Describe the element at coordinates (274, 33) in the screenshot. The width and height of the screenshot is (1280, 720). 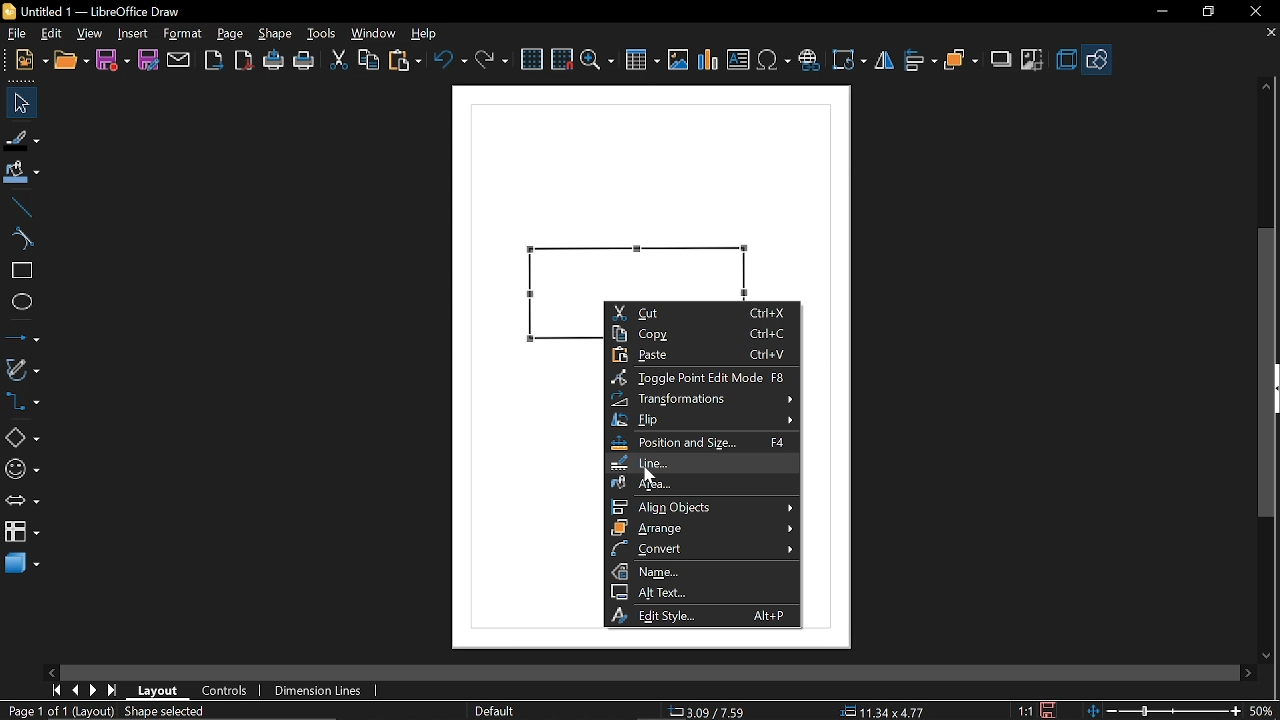
I see `shape` at that location.